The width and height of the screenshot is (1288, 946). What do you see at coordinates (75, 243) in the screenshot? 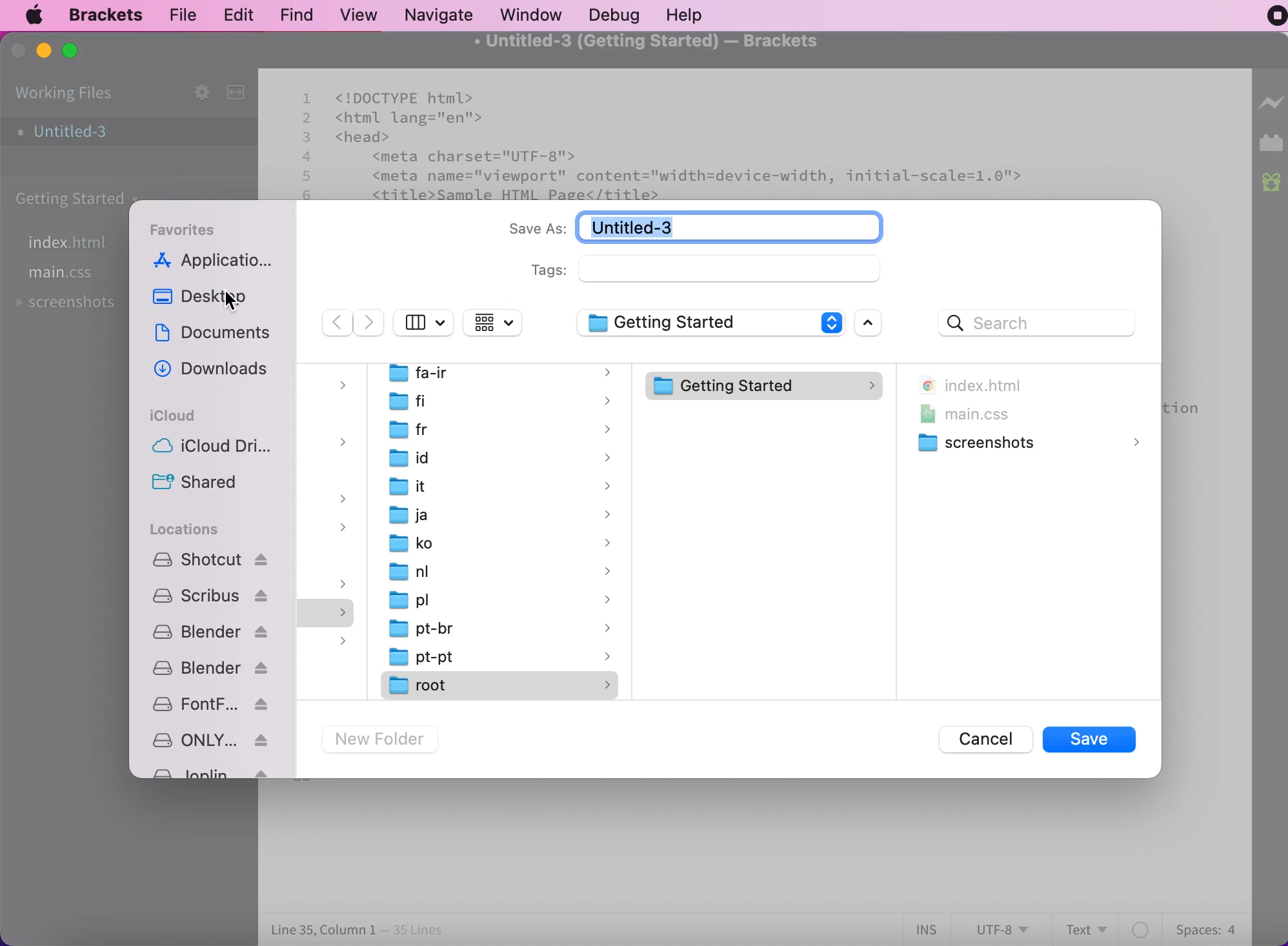
I see `file index.html` at bounding box center [75, 243].